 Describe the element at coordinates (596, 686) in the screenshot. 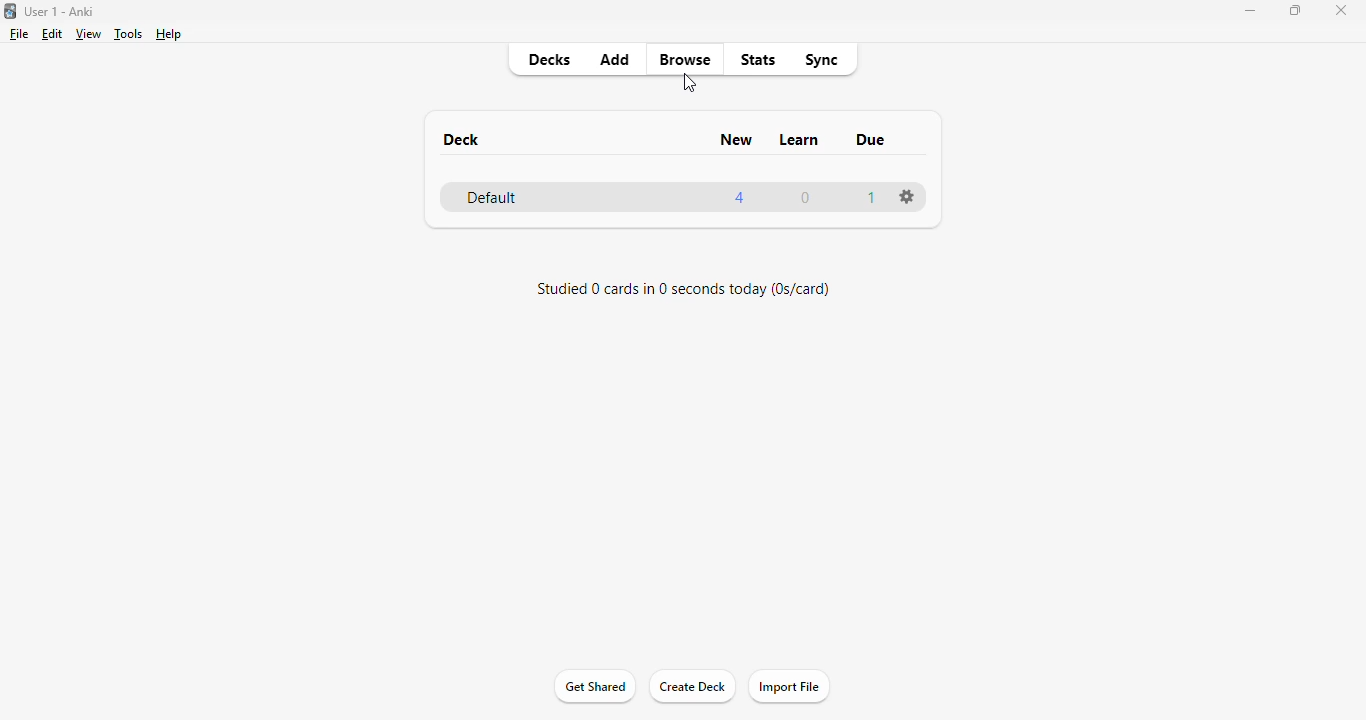

I see `get shared` at that location.